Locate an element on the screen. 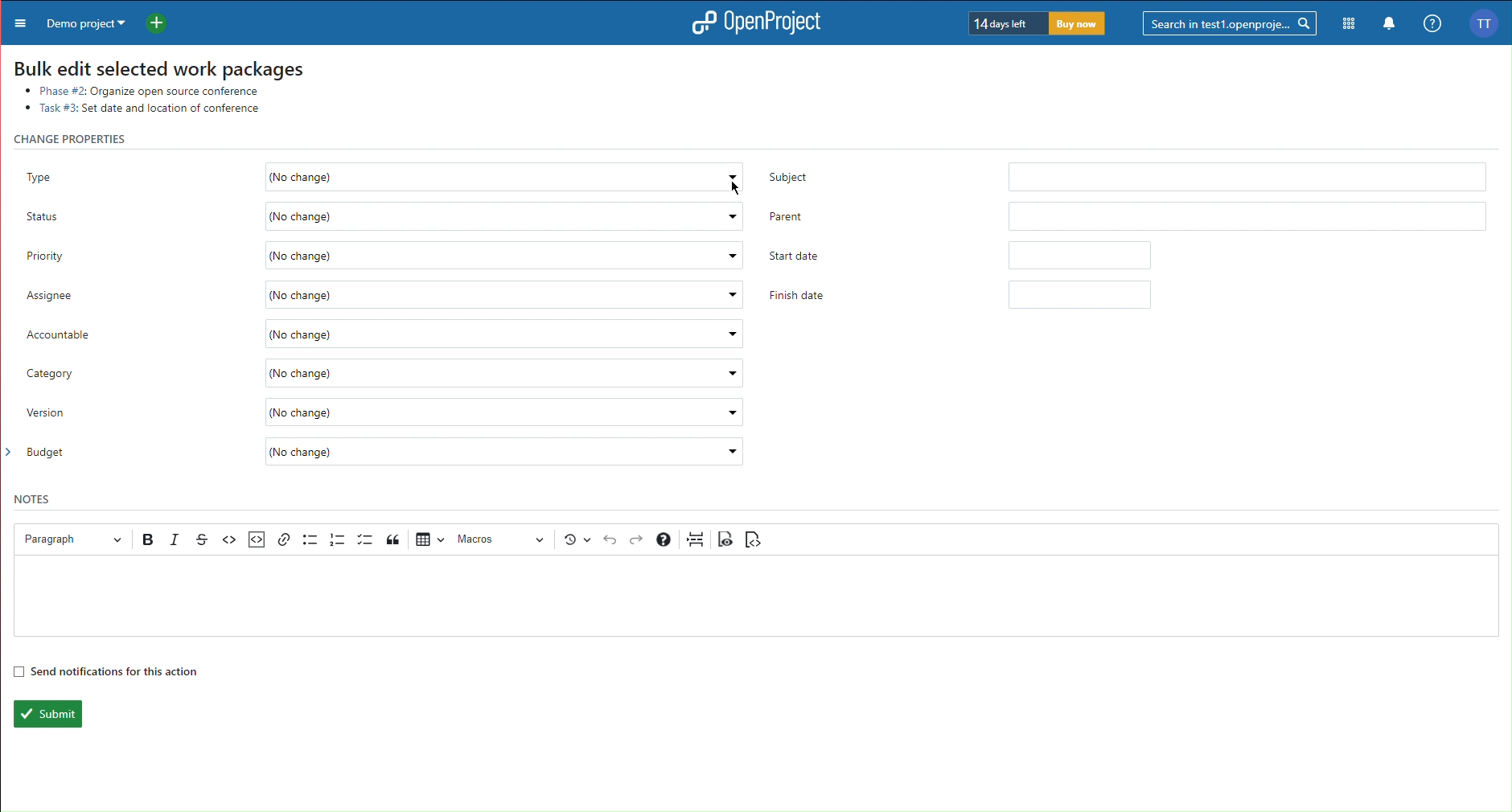 The width and height of the screenshot is (1512, 812). Markdown Source is located at coordinates (753, 539).